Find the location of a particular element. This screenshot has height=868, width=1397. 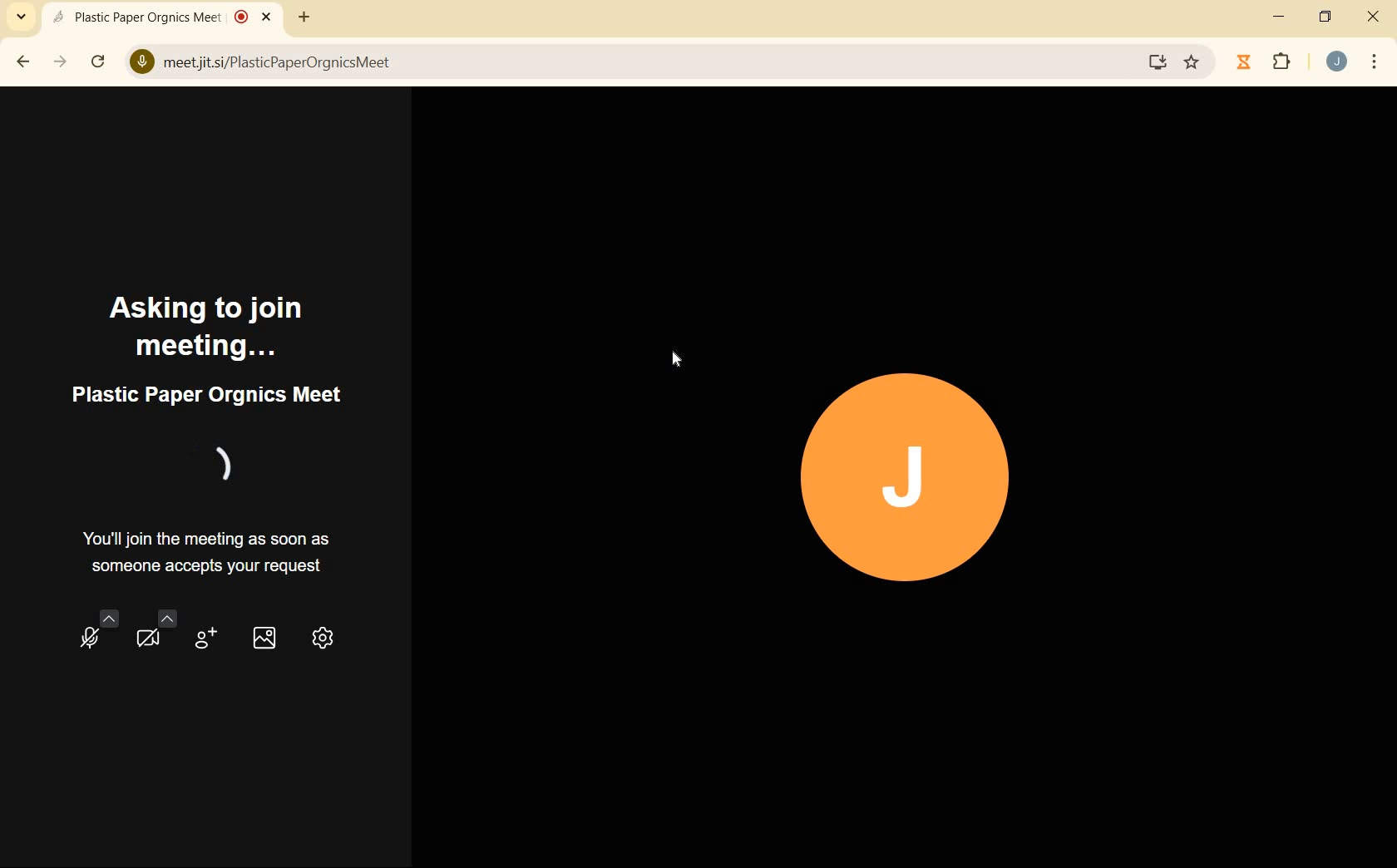

meeting title is located at coordinates (205, 397).